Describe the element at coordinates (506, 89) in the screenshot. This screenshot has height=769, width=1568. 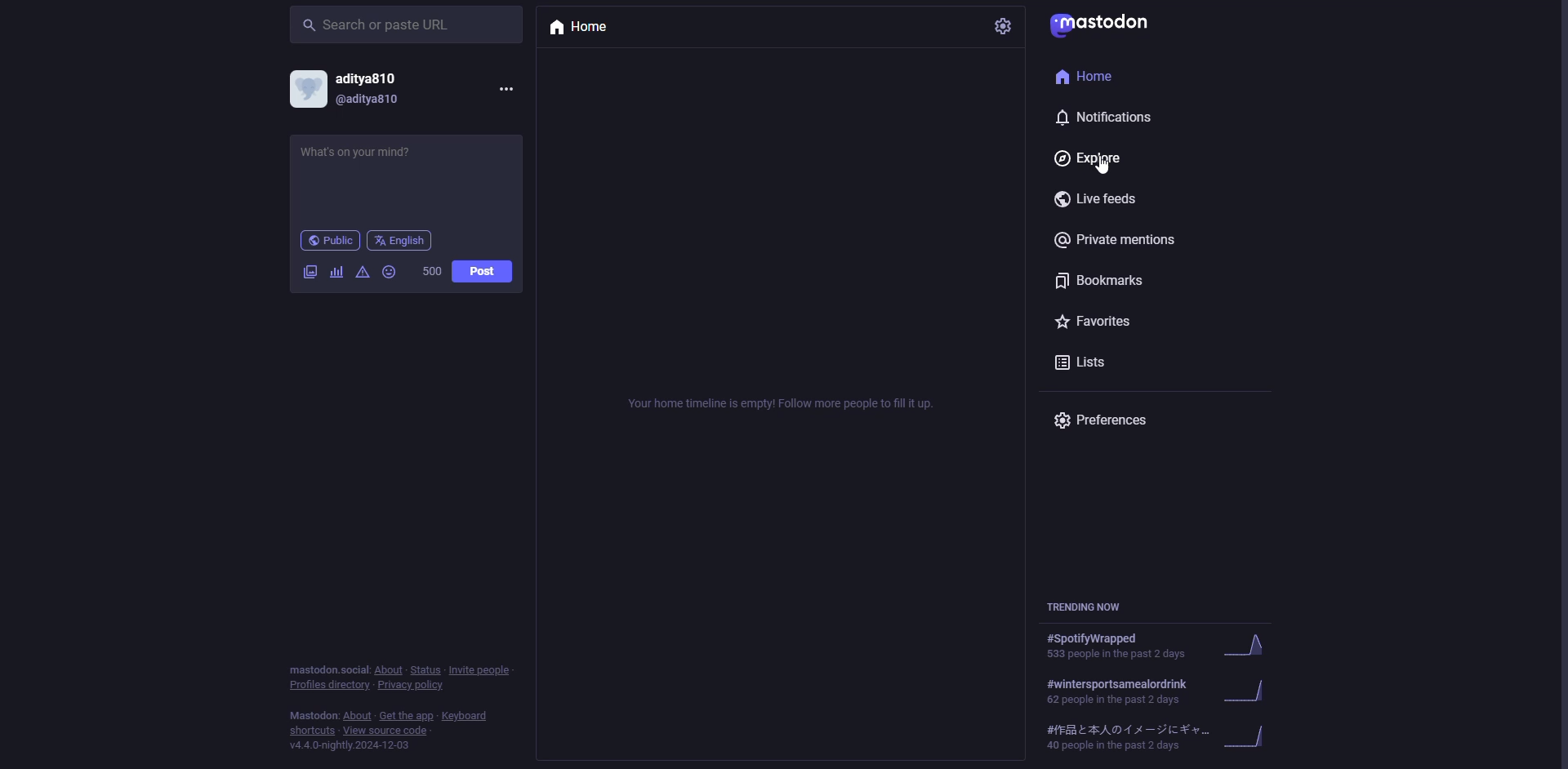
I see `more` at that location.